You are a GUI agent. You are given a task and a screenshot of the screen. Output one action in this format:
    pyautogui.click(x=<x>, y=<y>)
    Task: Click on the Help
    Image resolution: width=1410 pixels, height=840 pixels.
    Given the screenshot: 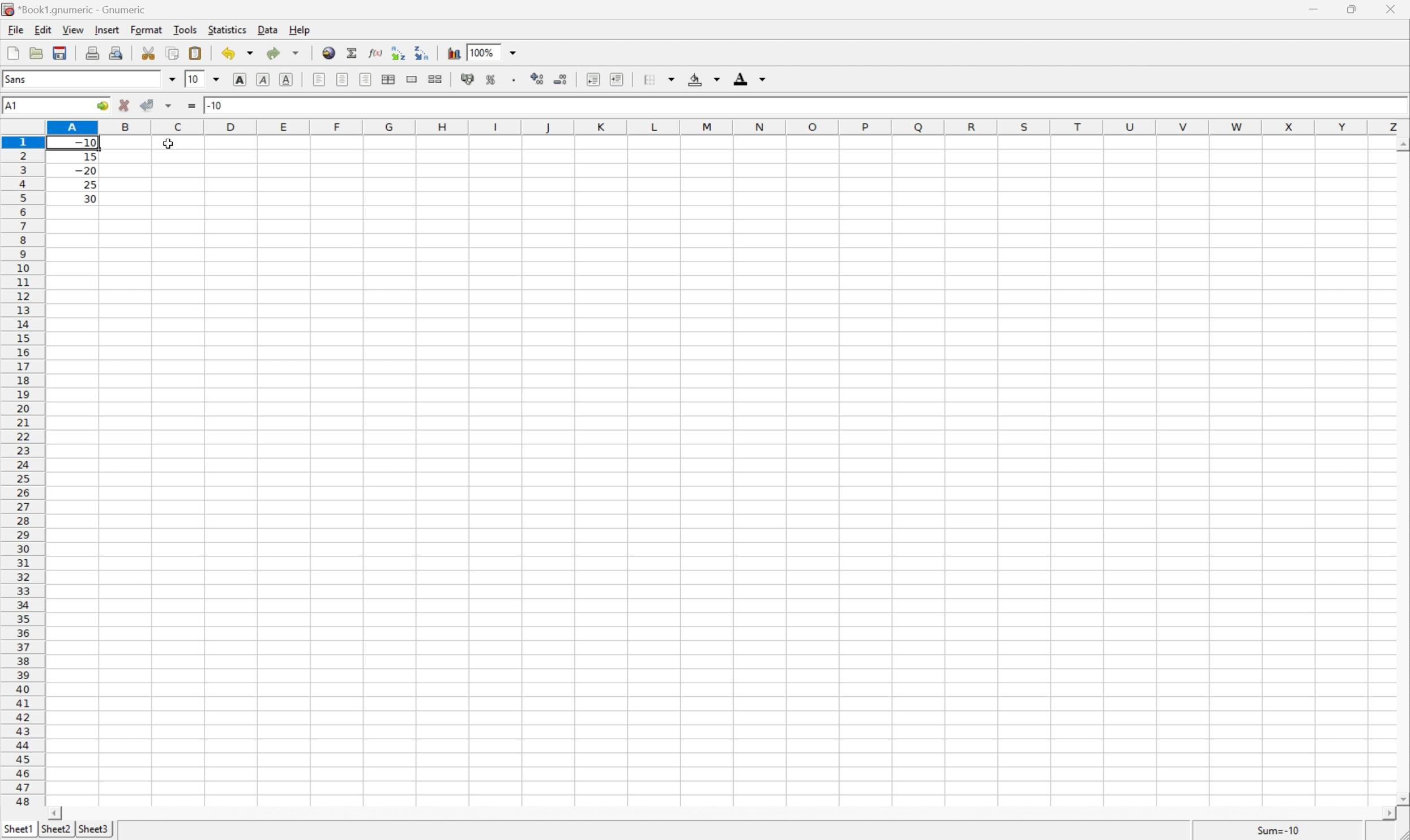 What is the action you would take?
    pyautogui.click(x=300, y=31)
    